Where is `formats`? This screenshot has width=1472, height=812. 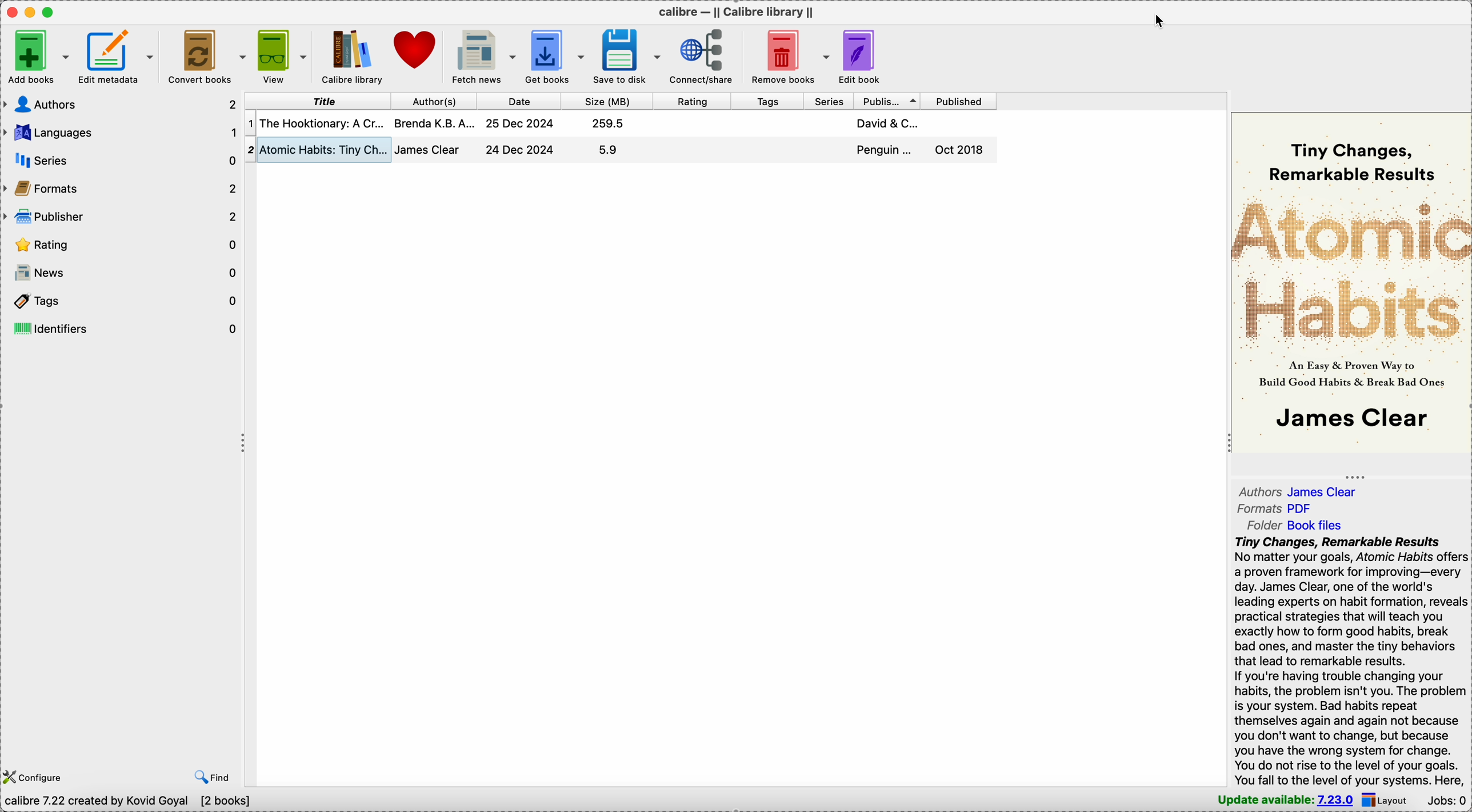
formats is located at coordinates (122, 186).